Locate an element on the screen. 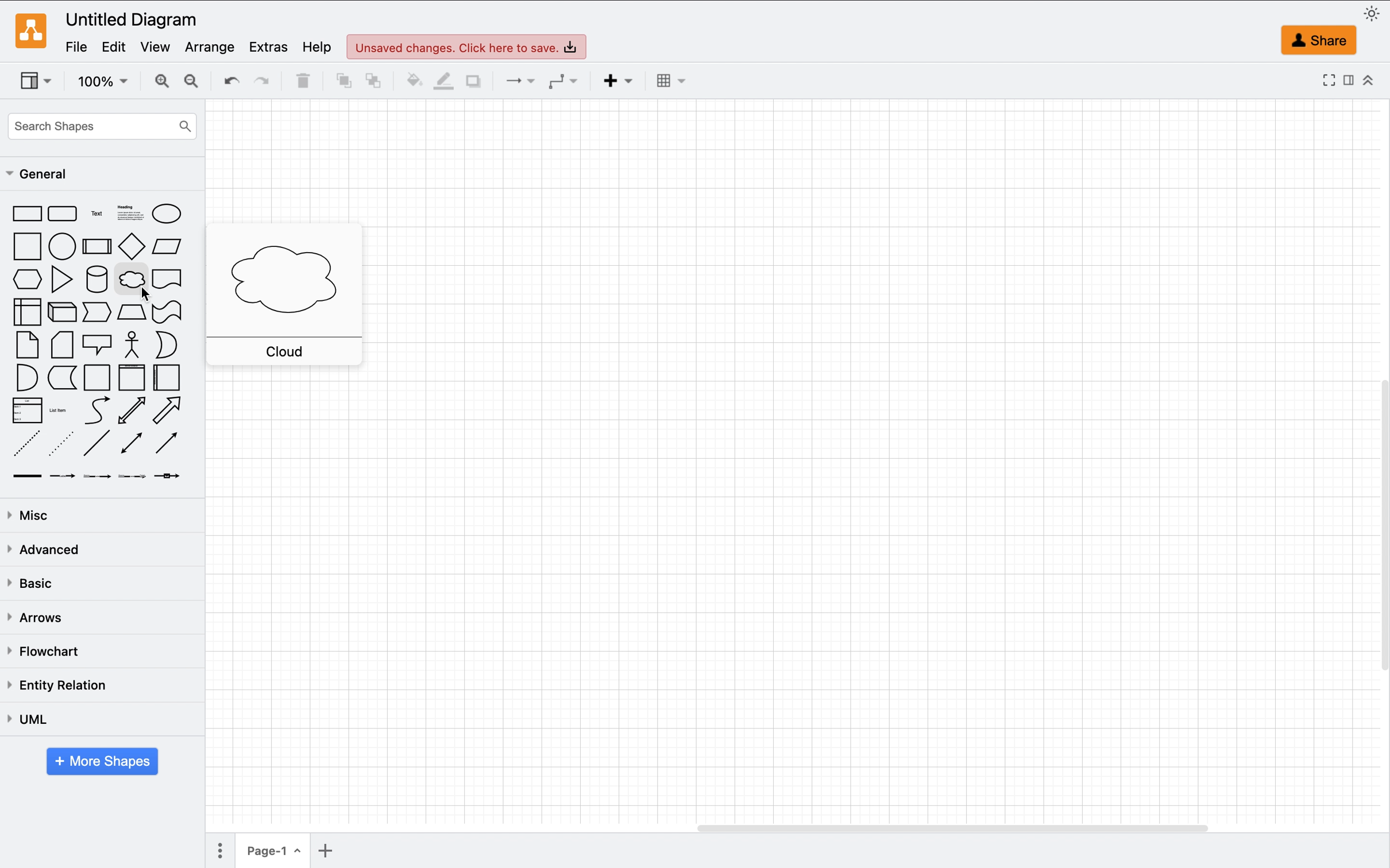 The image size is (1390, 868). cloud shape pop up is located at coordinates (281, 290).